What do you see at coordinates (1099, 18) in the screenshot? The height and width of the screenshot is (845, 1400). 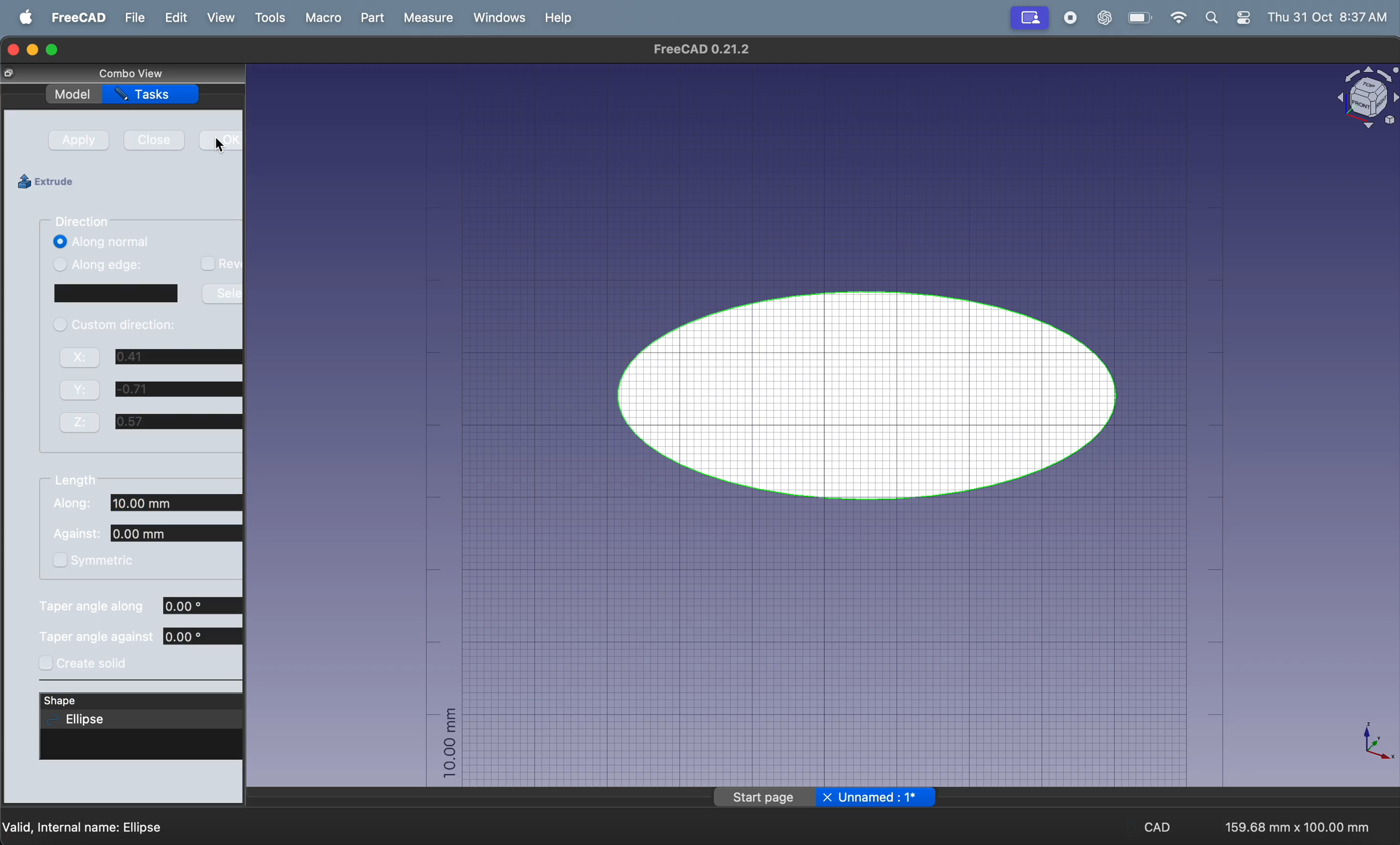 I see `chatgpt` at bounding box center [1099, 18].